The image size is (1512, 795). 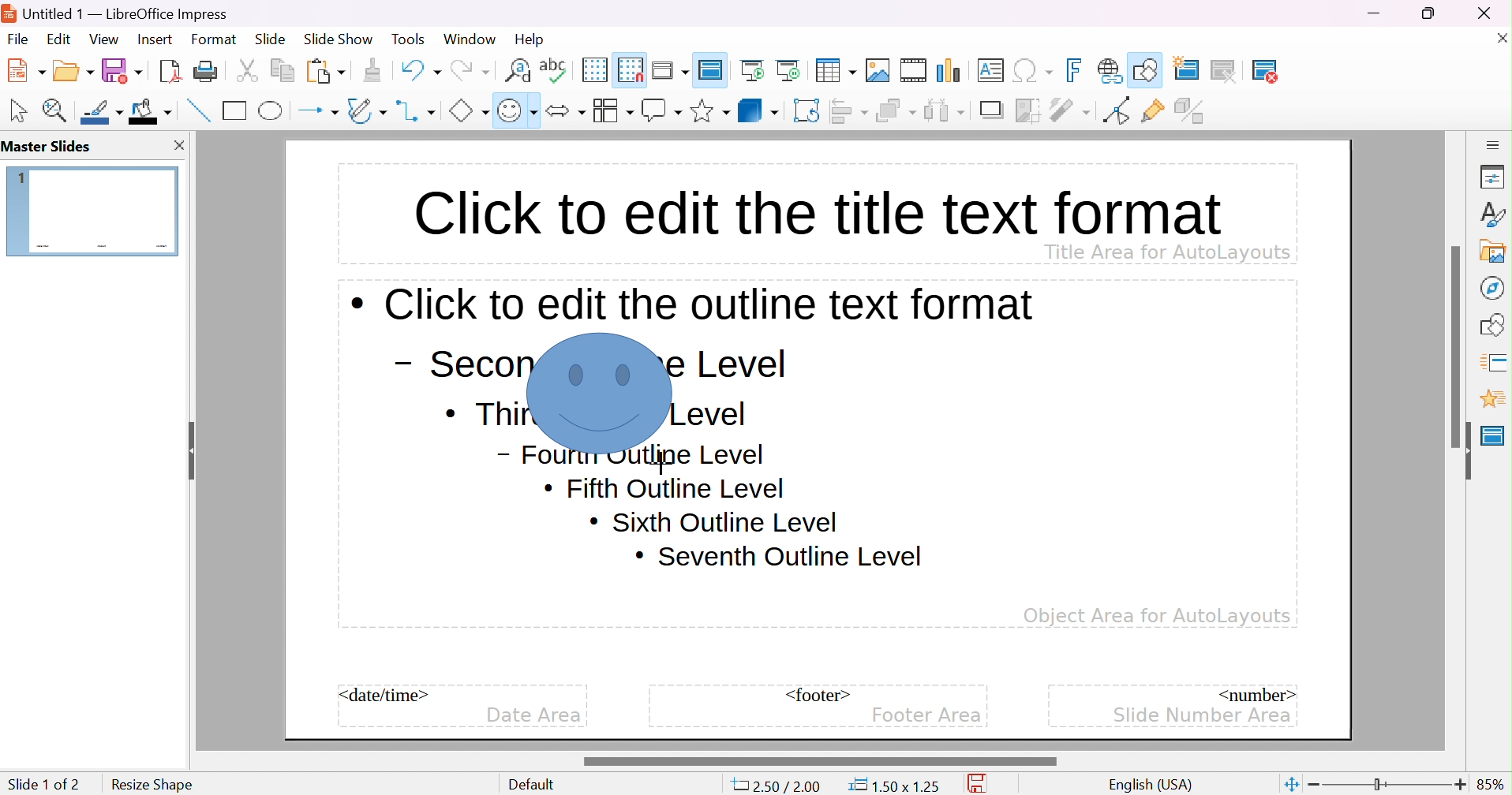 I want to click on slide transition, so click(x=1496, y=360).